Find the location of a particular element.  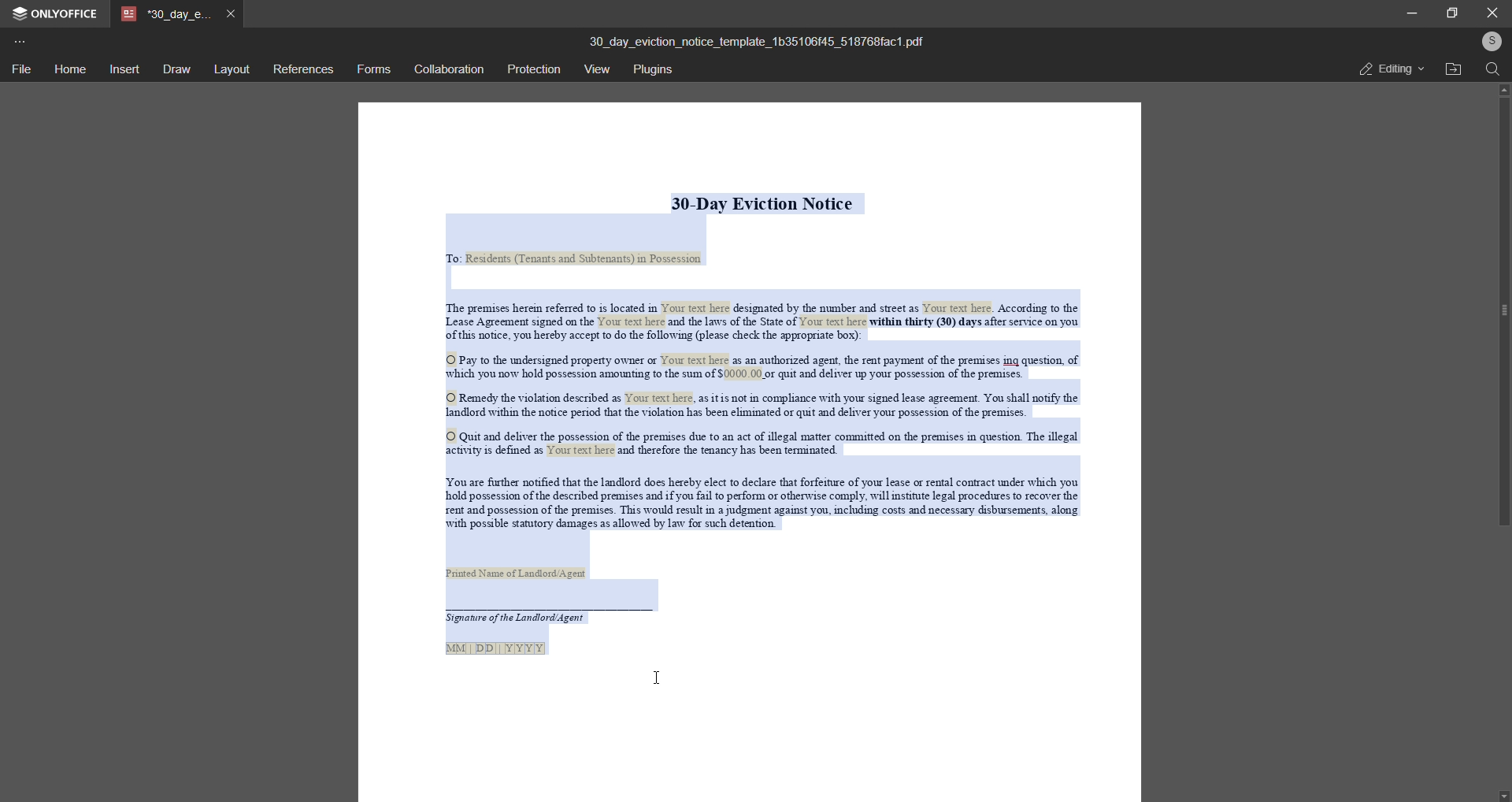

Onlyoffice logo and name is located at coordinates (61, 14).